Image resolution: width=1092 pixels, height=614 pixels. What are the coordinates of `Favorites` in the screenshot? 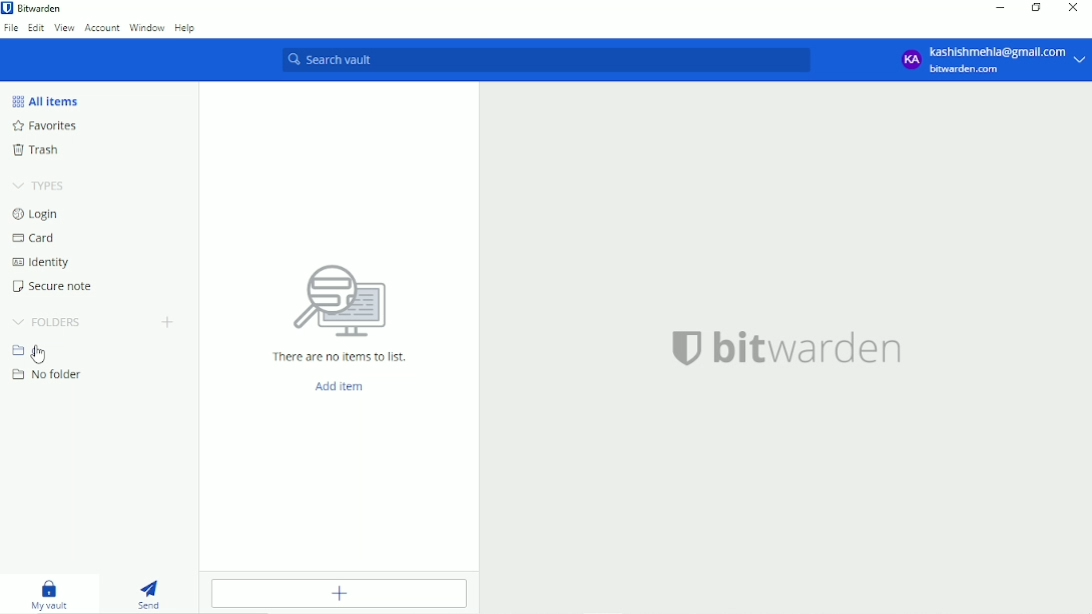 It's located at (43, 126).